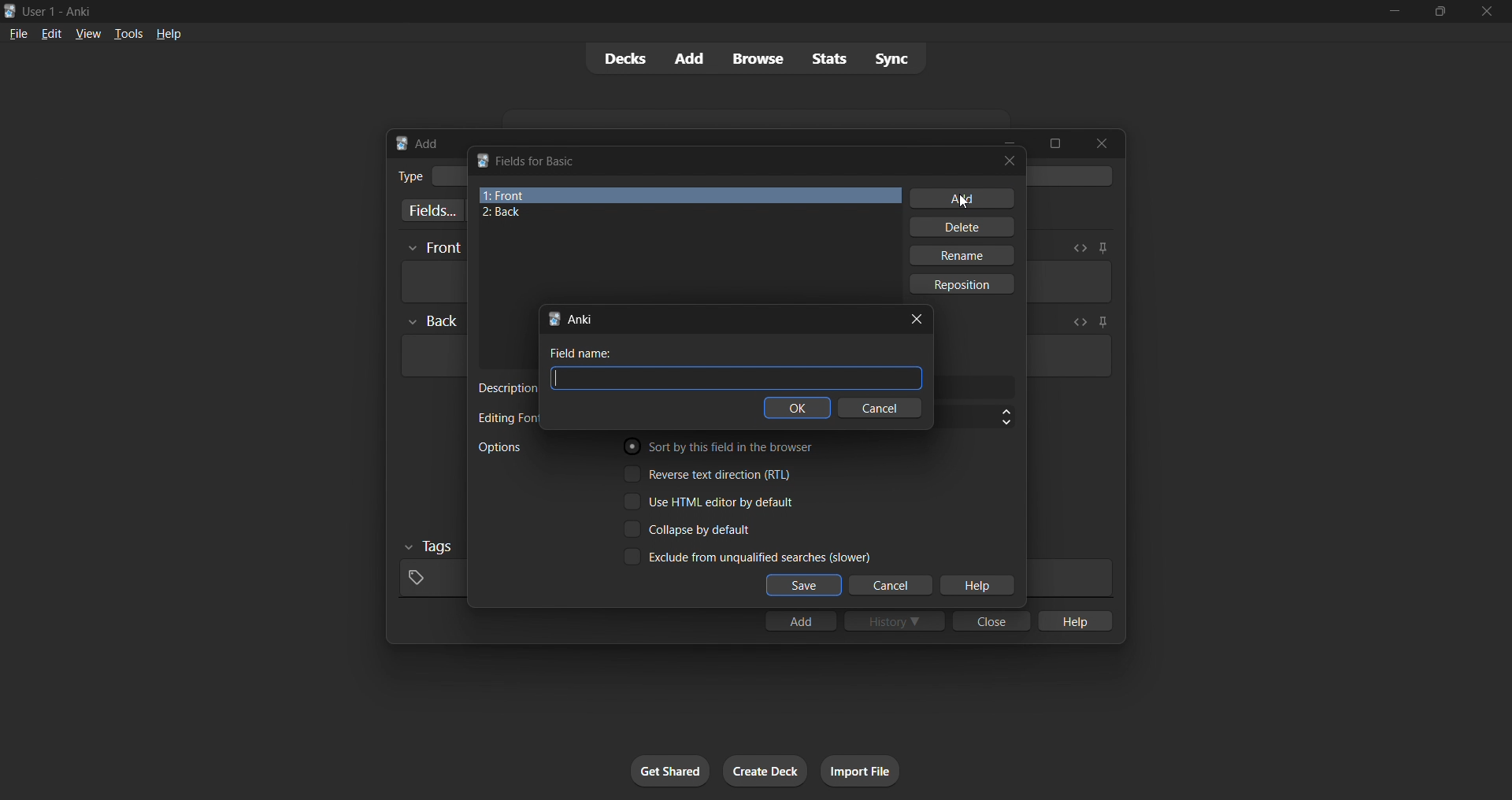 The image size is (1512, 800). I want to click on save, so click(804, 586).